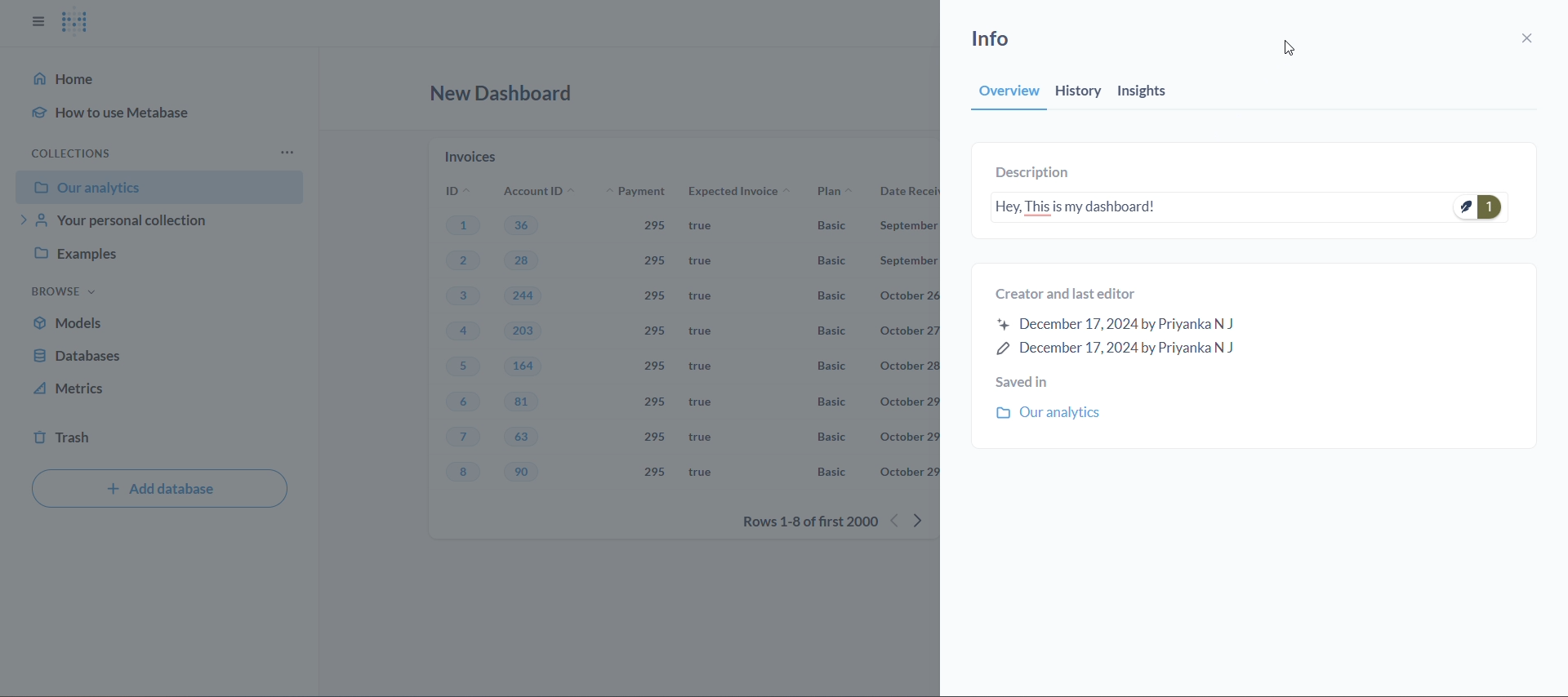 Image resolution: width=1568 pixels, height=697 pixels. What do you see at coordinates (526, 437) in the screenshot?
I see `63` at bounding box center [526, 437].